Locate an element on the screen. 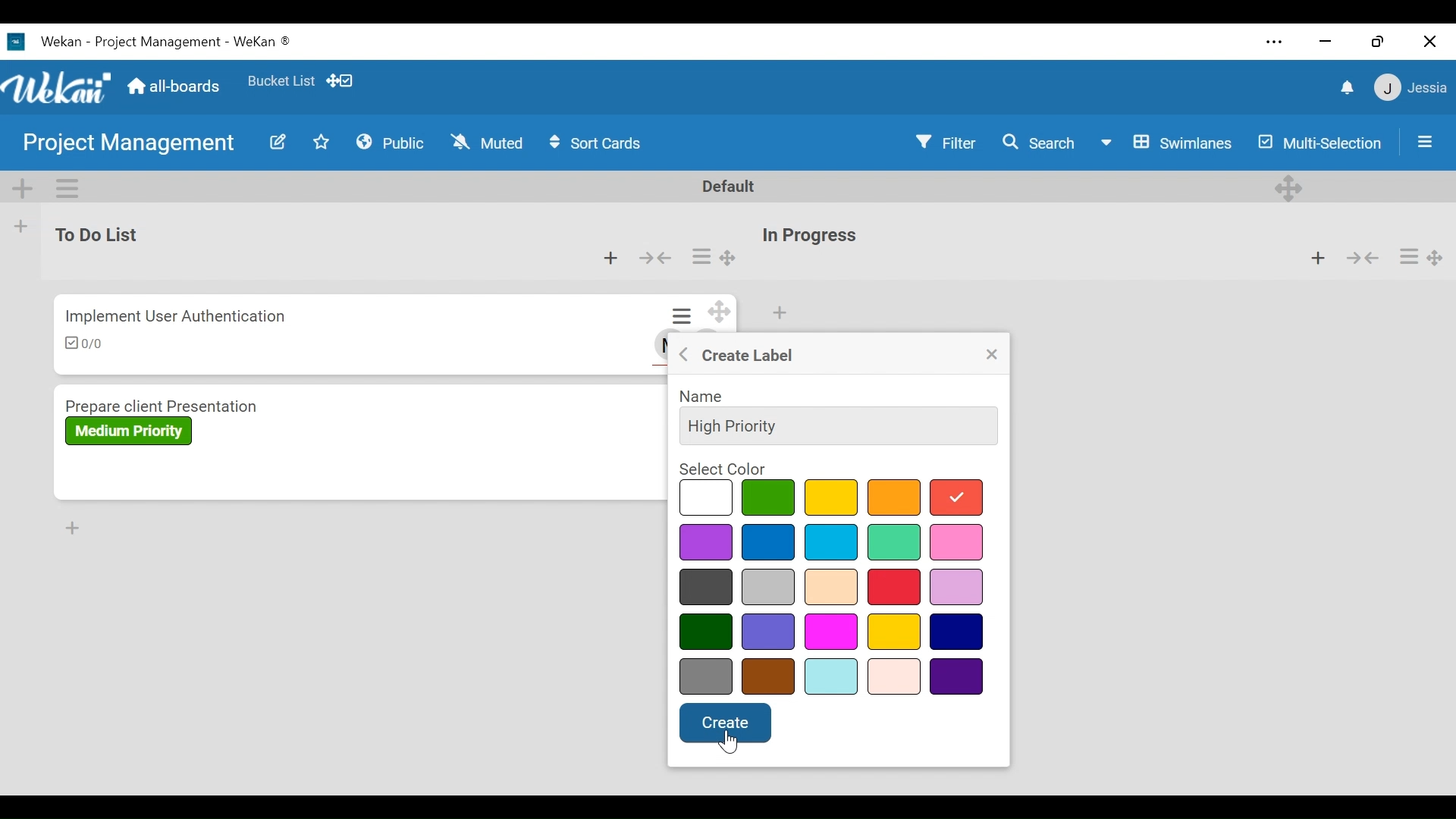 The image size is (1456, 819). Card actions is located at coordinates (685, 317).